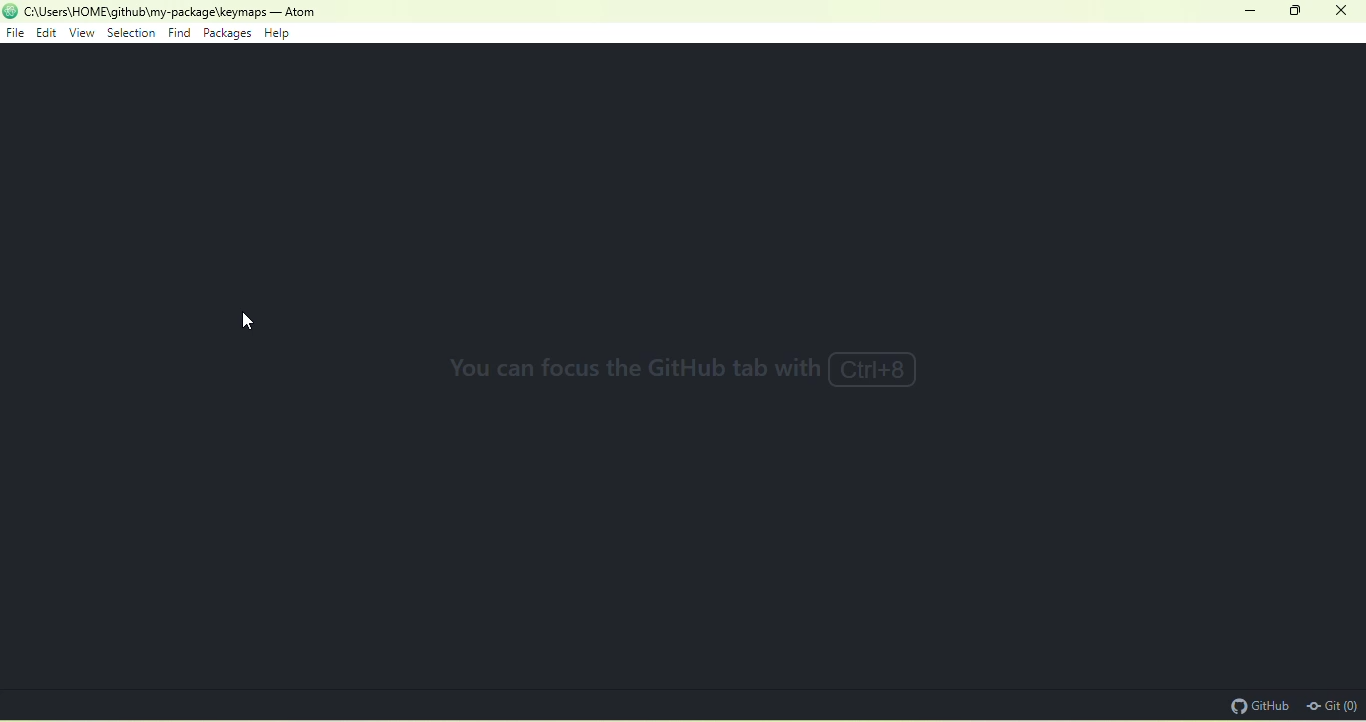 The height and width of the screenshot is (722, 1366). Describe the element at coordinates (81, 34) in the screenshot. I see `view` at that location.